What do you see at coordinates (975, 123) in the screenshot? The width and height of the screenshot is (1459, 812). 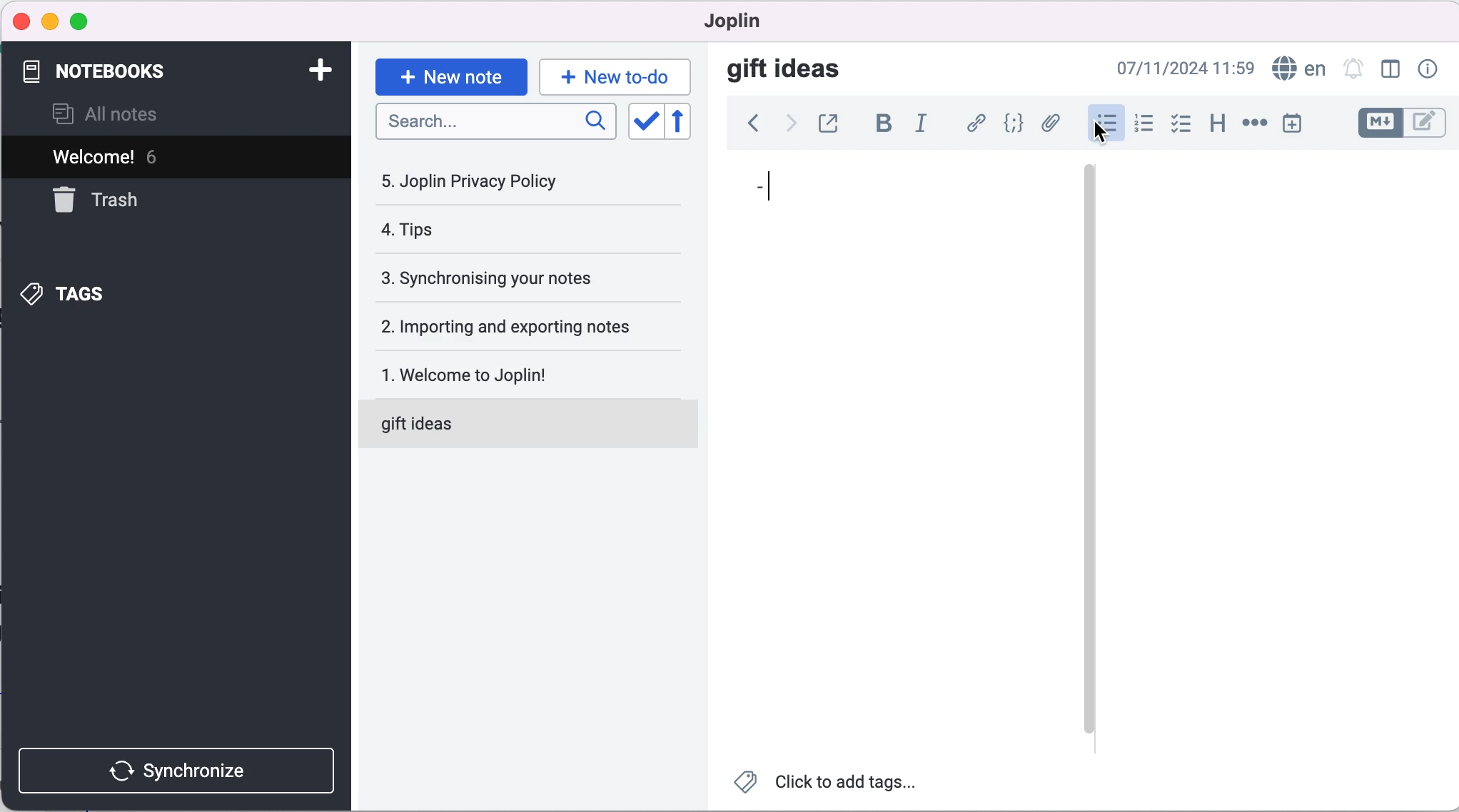 I see `hyperlink` at bounding box center [975, 123].